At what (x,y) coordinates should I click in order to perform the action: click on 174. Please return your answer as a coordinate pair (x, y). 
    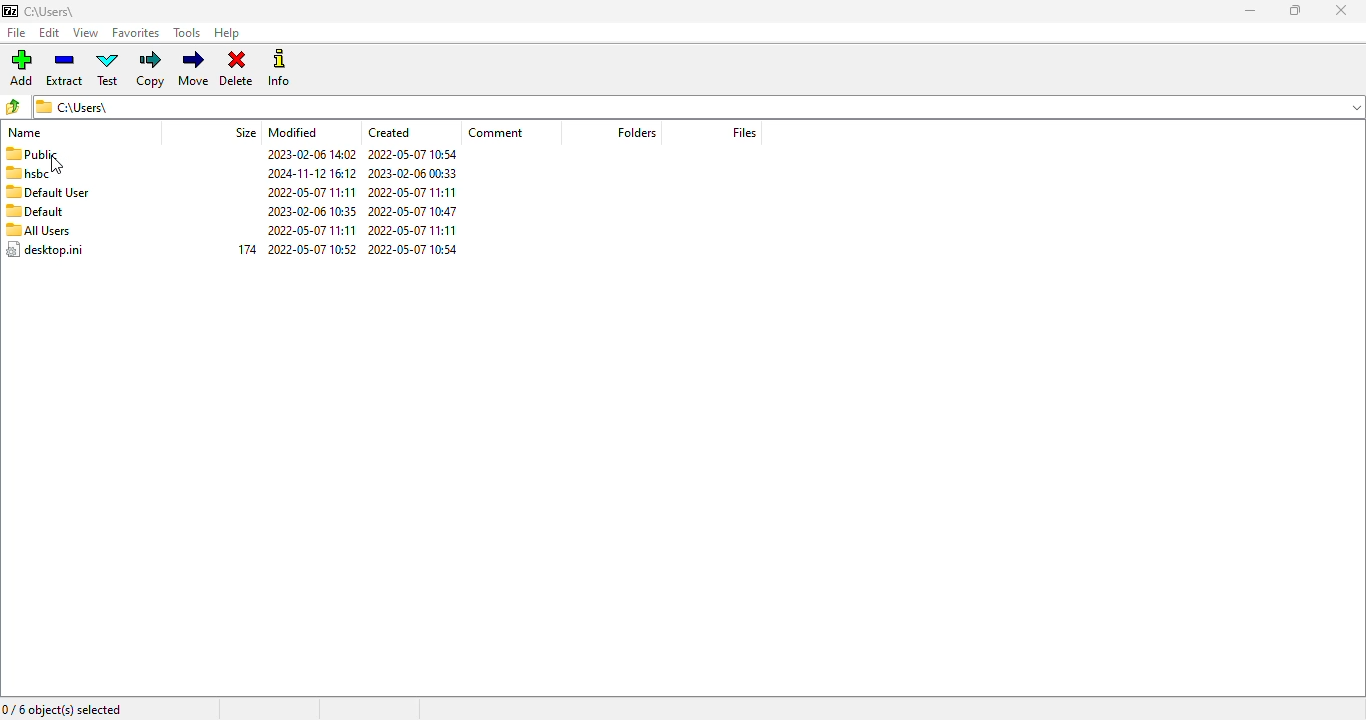
    Looking at the image, I should click on (244, 250).